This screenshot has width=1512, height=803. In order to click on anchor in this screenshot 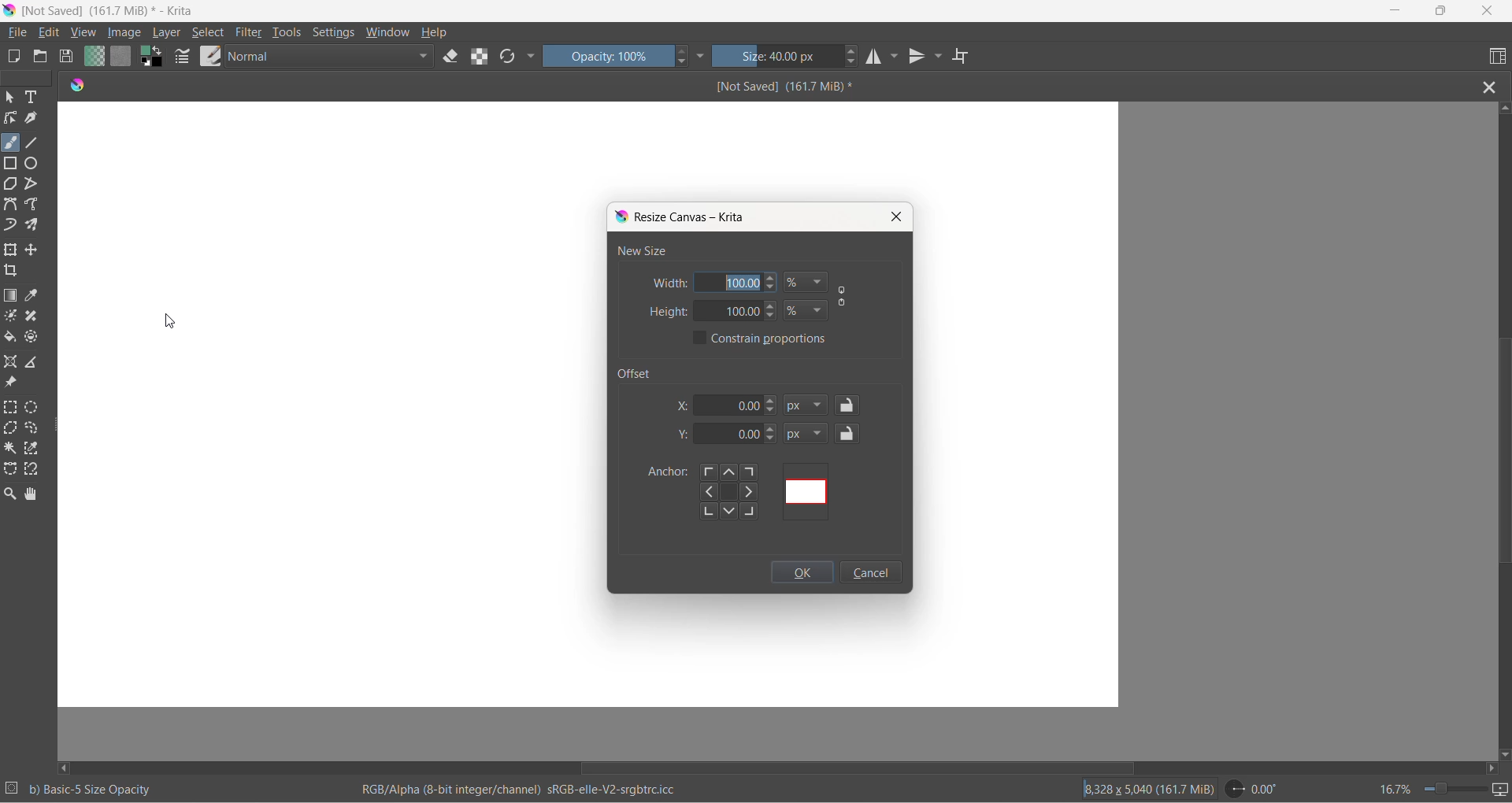, I will do `click(665, 473)`.